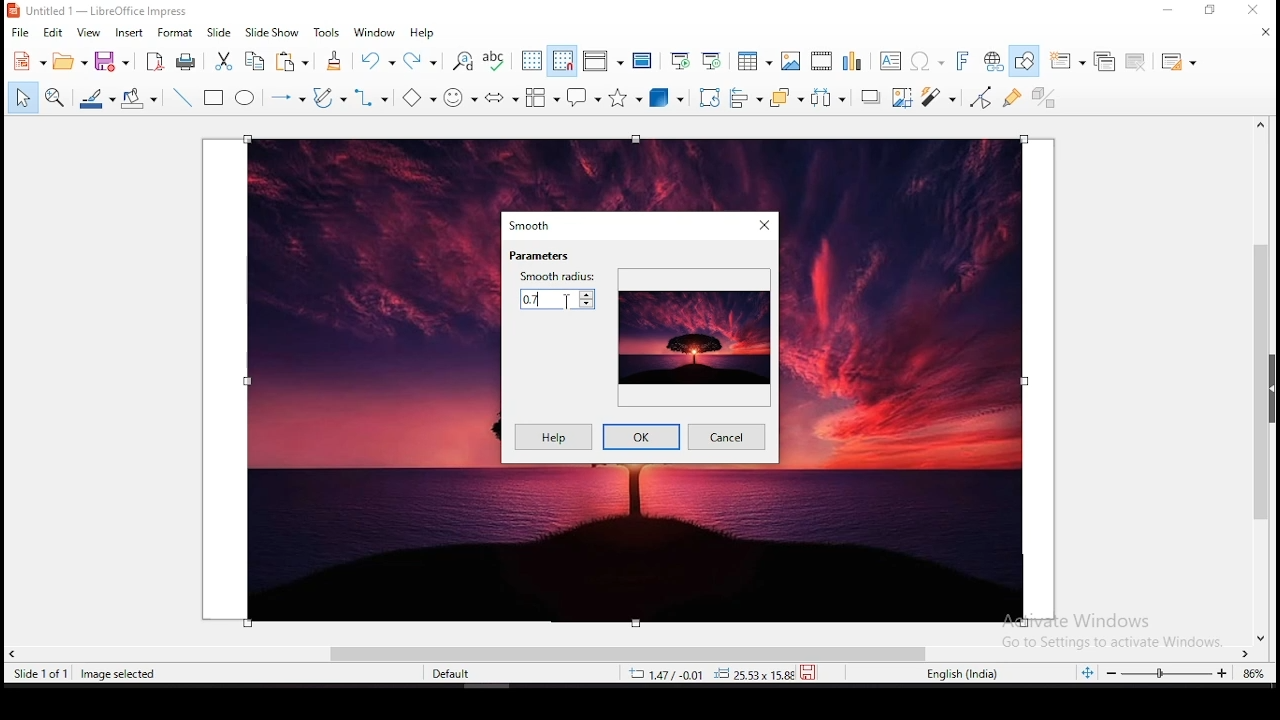  What do you see at coordinates (97, 97) in the screenshot?
I see `line color` at bounding box center [97, 97].